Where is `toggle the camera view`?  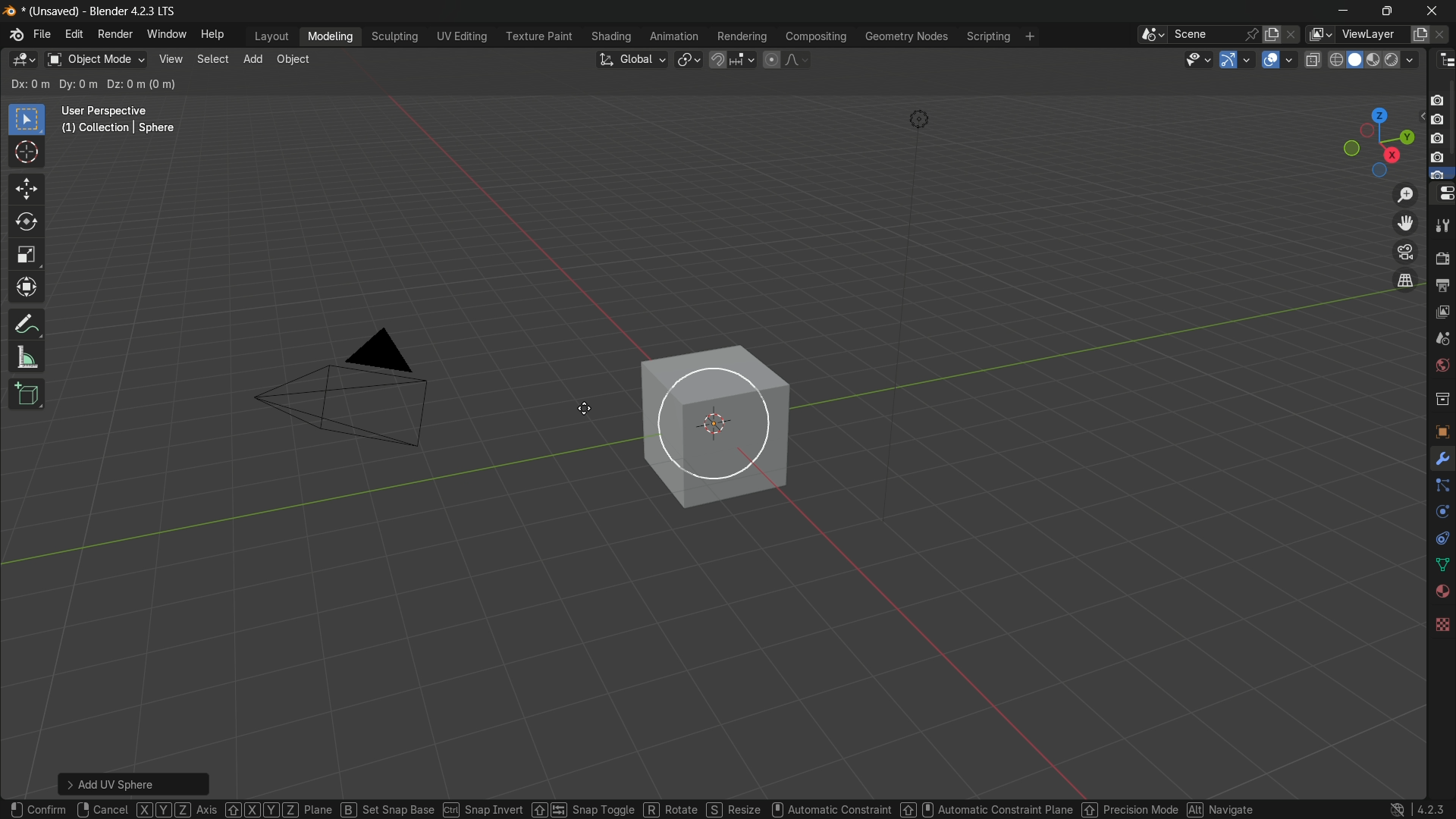 toggle the camera view is located at coordinates (1405, 252).